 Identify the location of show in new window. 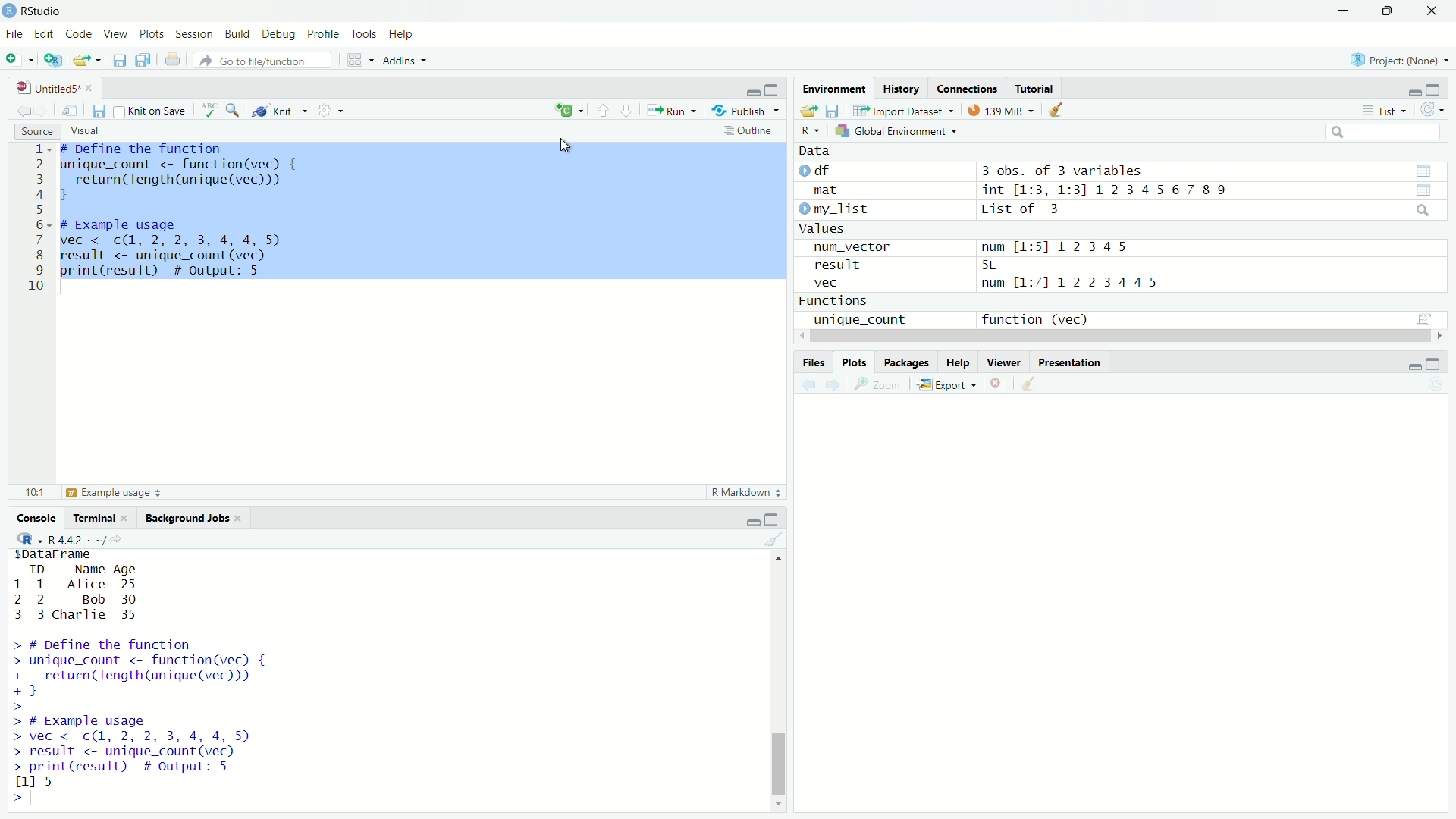
(70, 111).